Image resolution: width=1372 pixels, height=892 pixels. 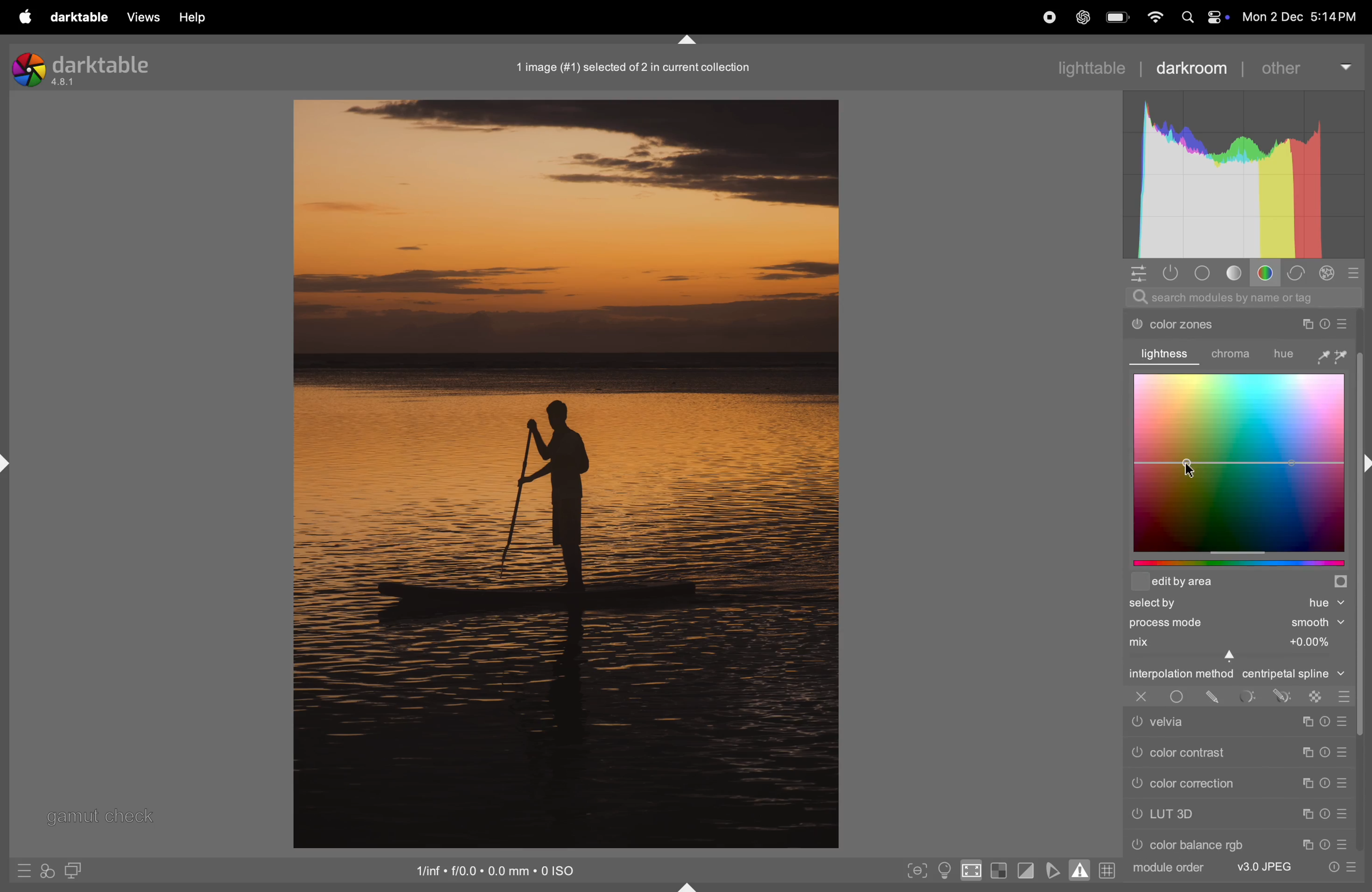 I want to click on interpolation central spline, so click(x=1235, y=675).